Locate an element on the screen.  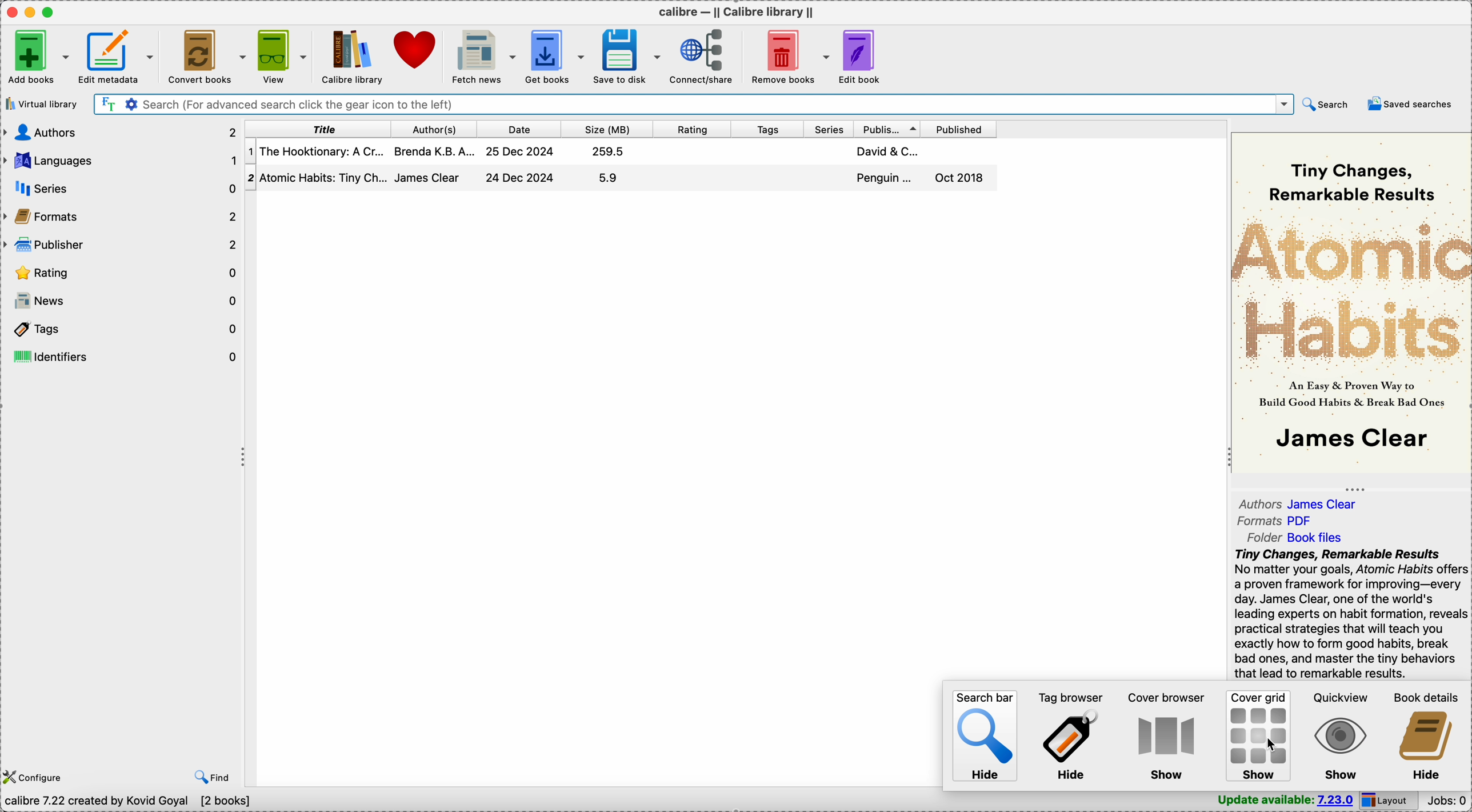
size is located at coordinates (607, 129).